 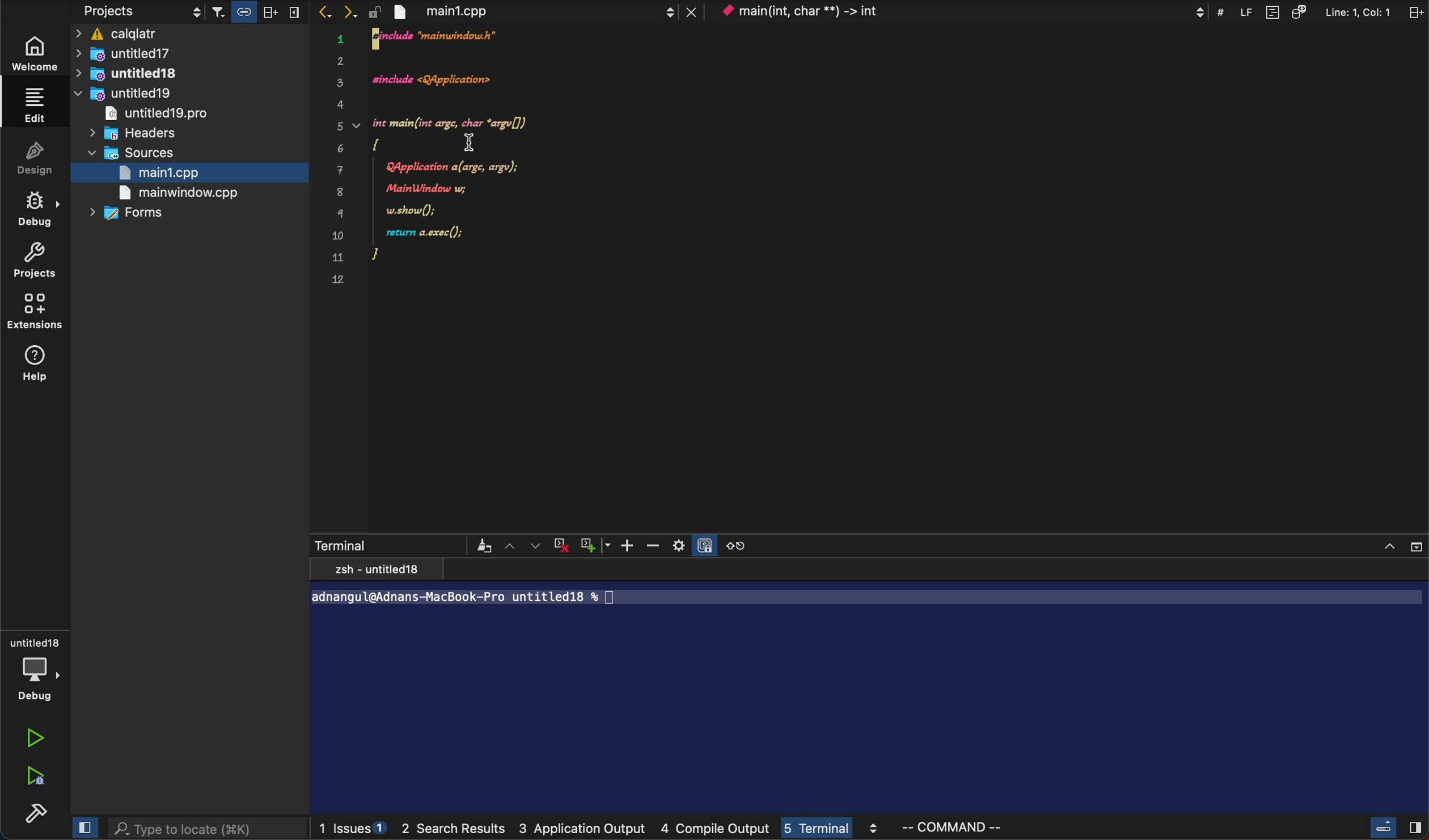 I want to click on untitled18, so click(x=131, y=73).